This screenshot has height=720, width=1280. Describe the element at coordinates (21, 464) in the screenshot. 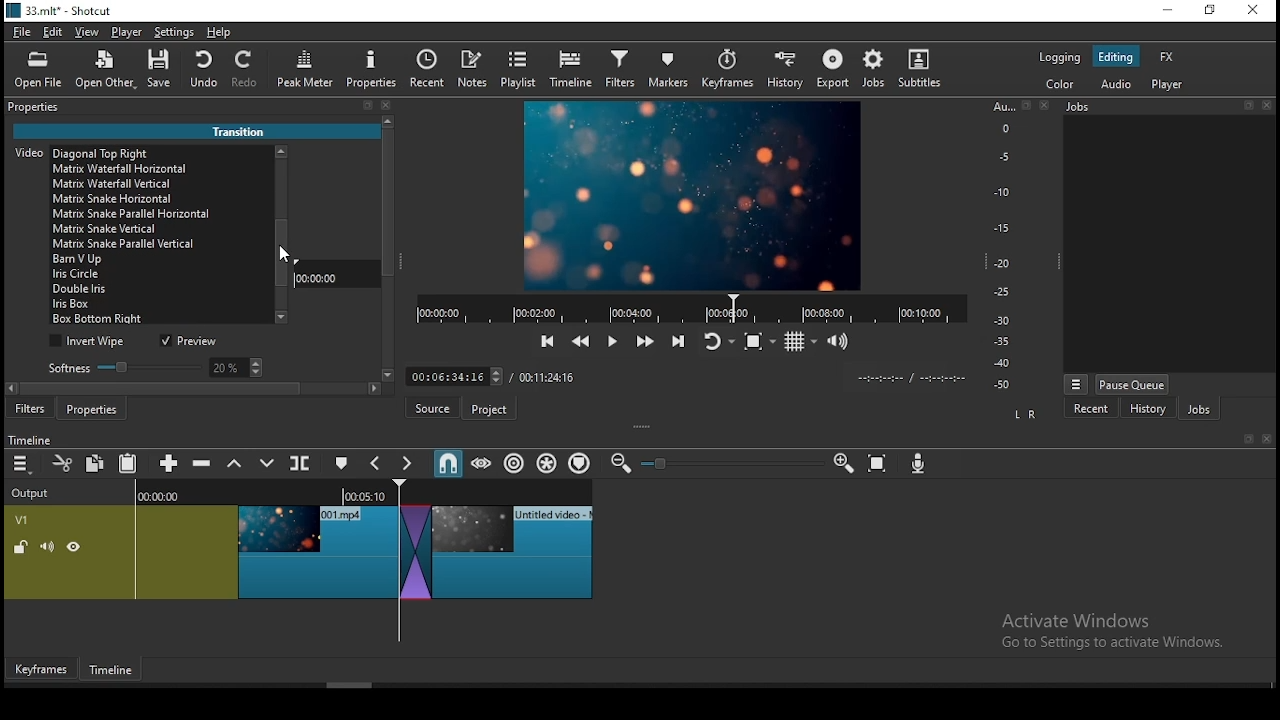

I see `menu` at that location.